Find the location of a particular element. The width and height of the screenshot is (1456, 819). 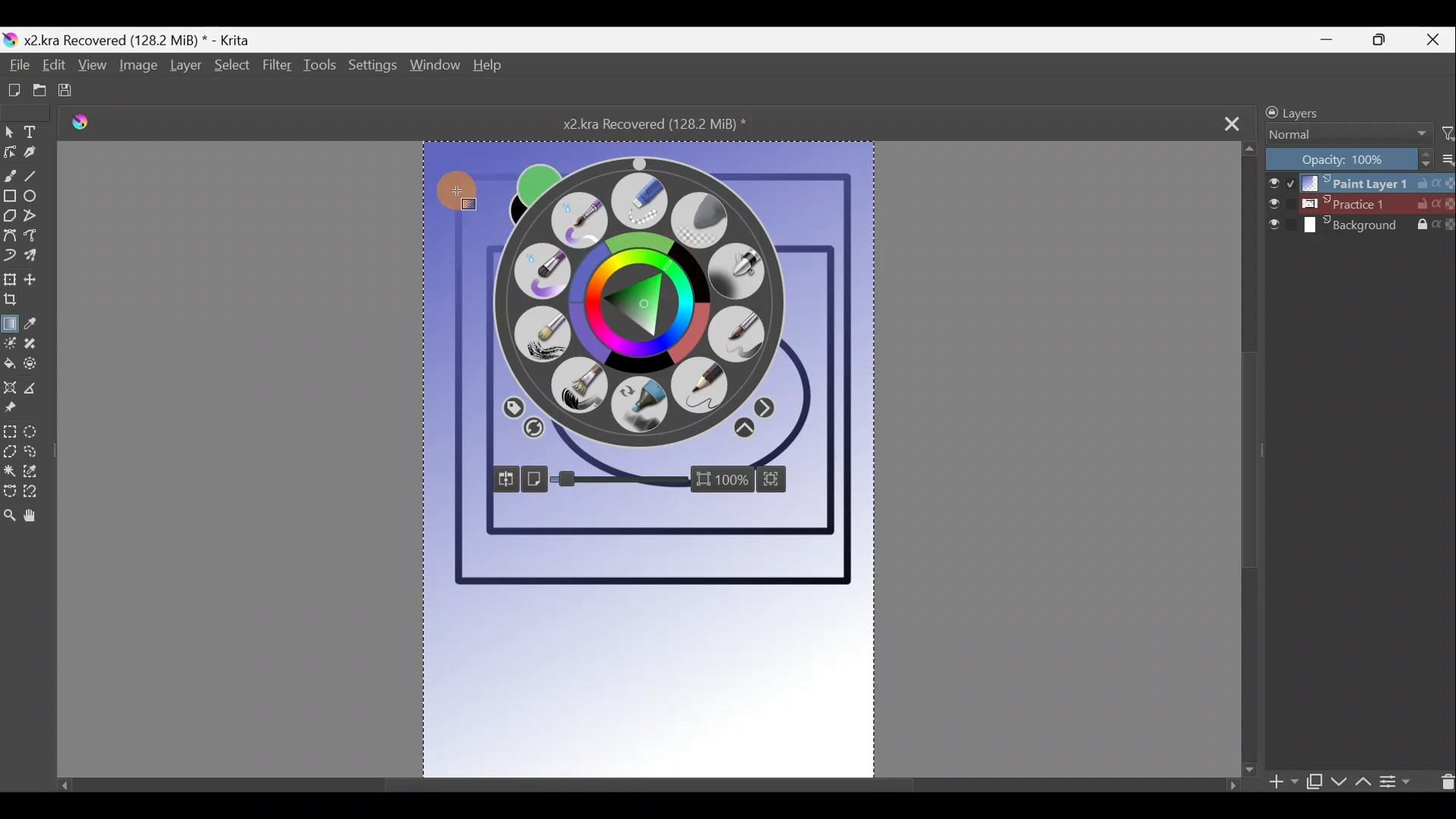

Help is located at coordinates (488, 67).